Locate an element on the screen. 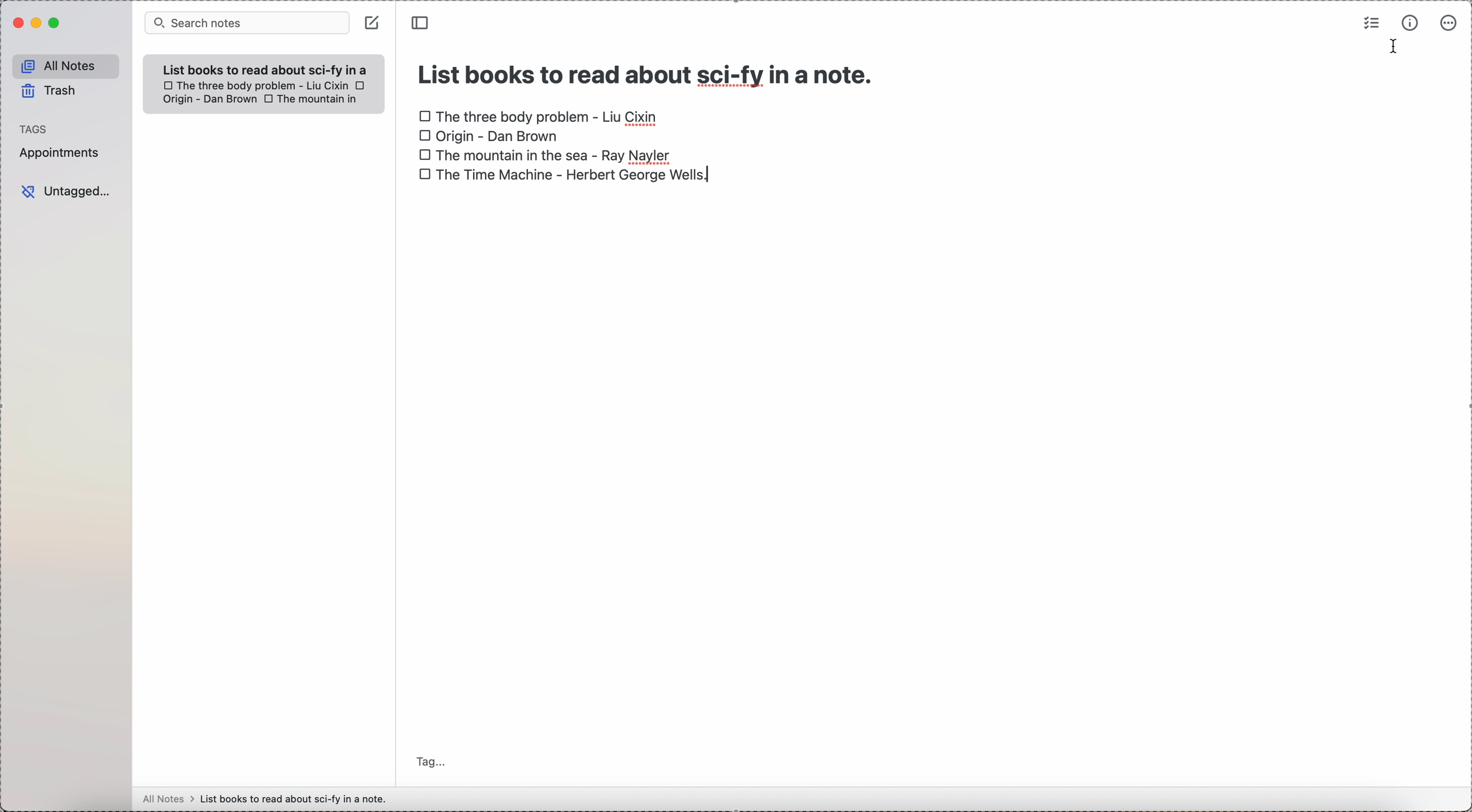  minimize is located at coordinates (34, 23).